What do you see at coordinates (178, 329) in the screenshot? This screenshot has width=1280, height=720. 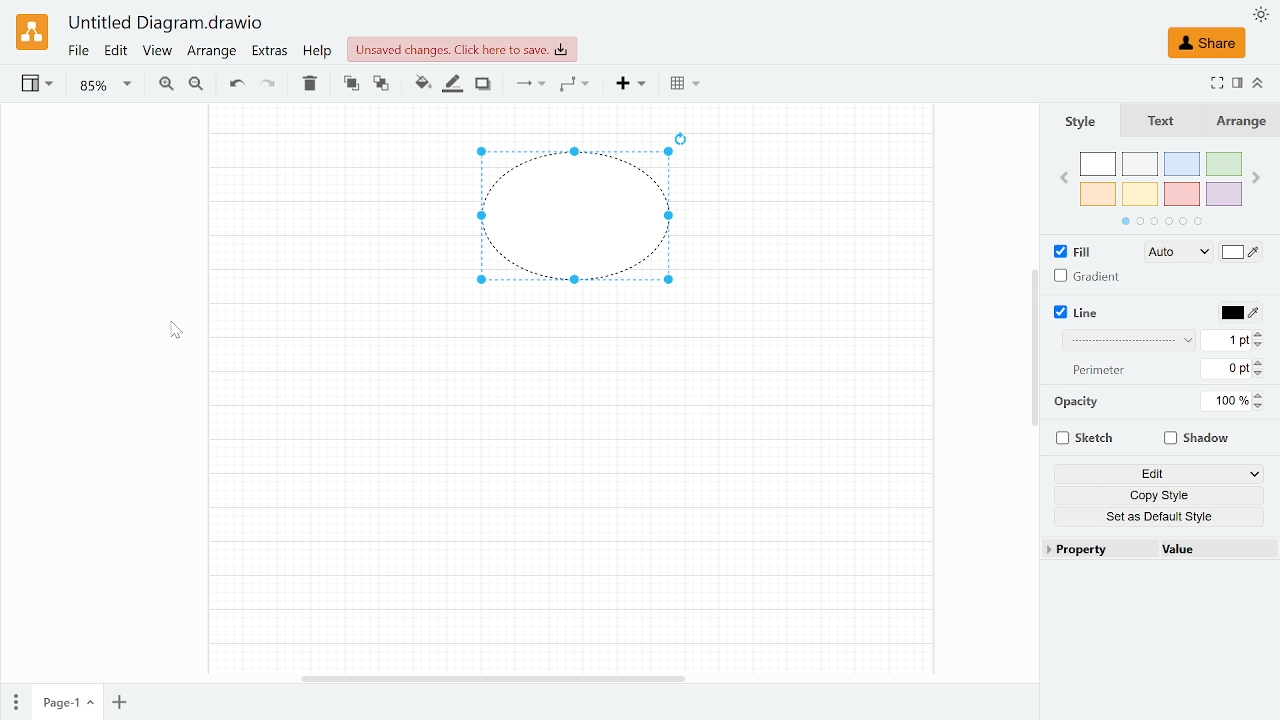 I see `Cursor` at bounding box center [178, 329].